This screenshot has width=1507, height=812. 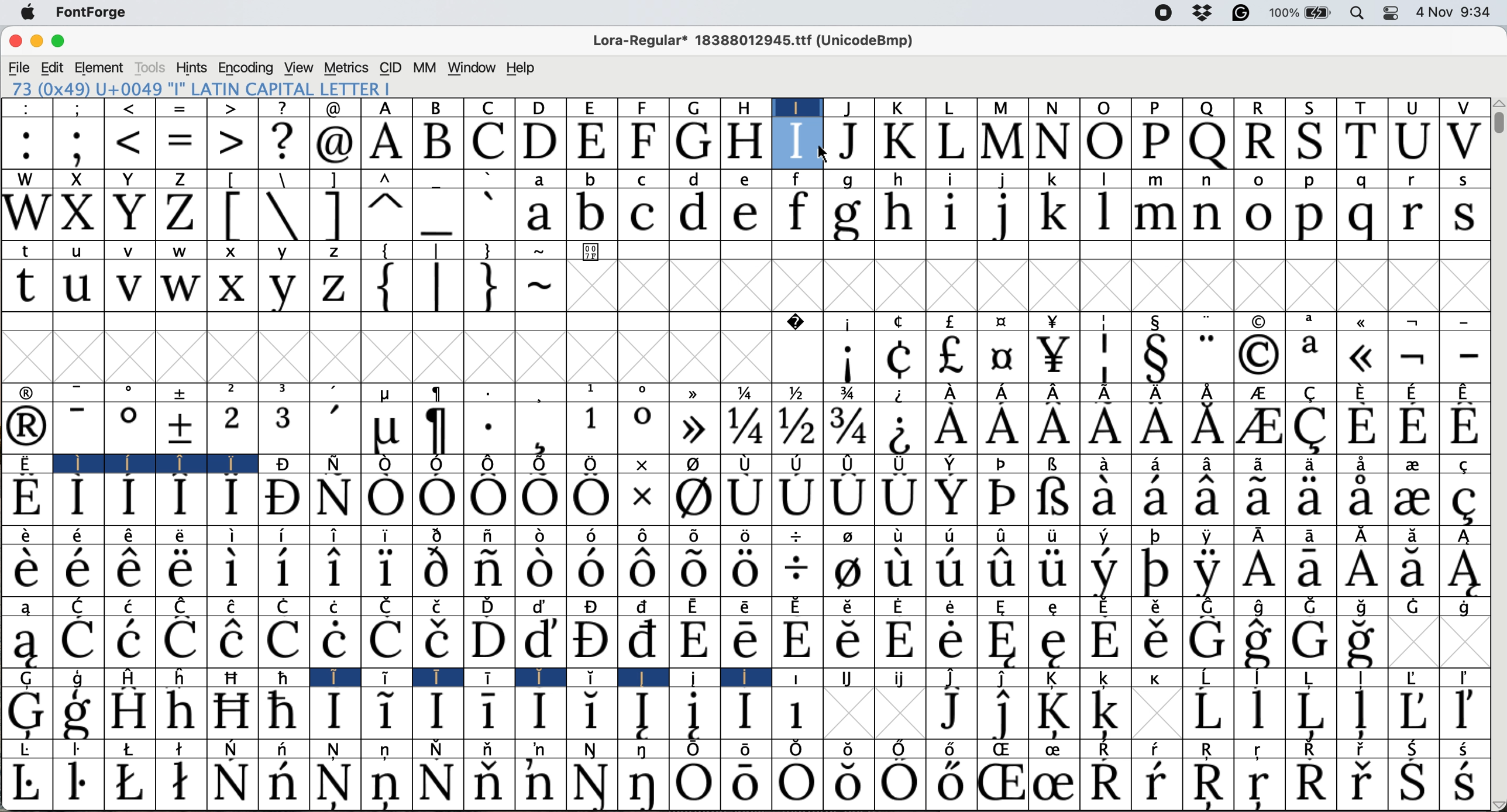 I want to click on symbol, so click(x=438, y=393).